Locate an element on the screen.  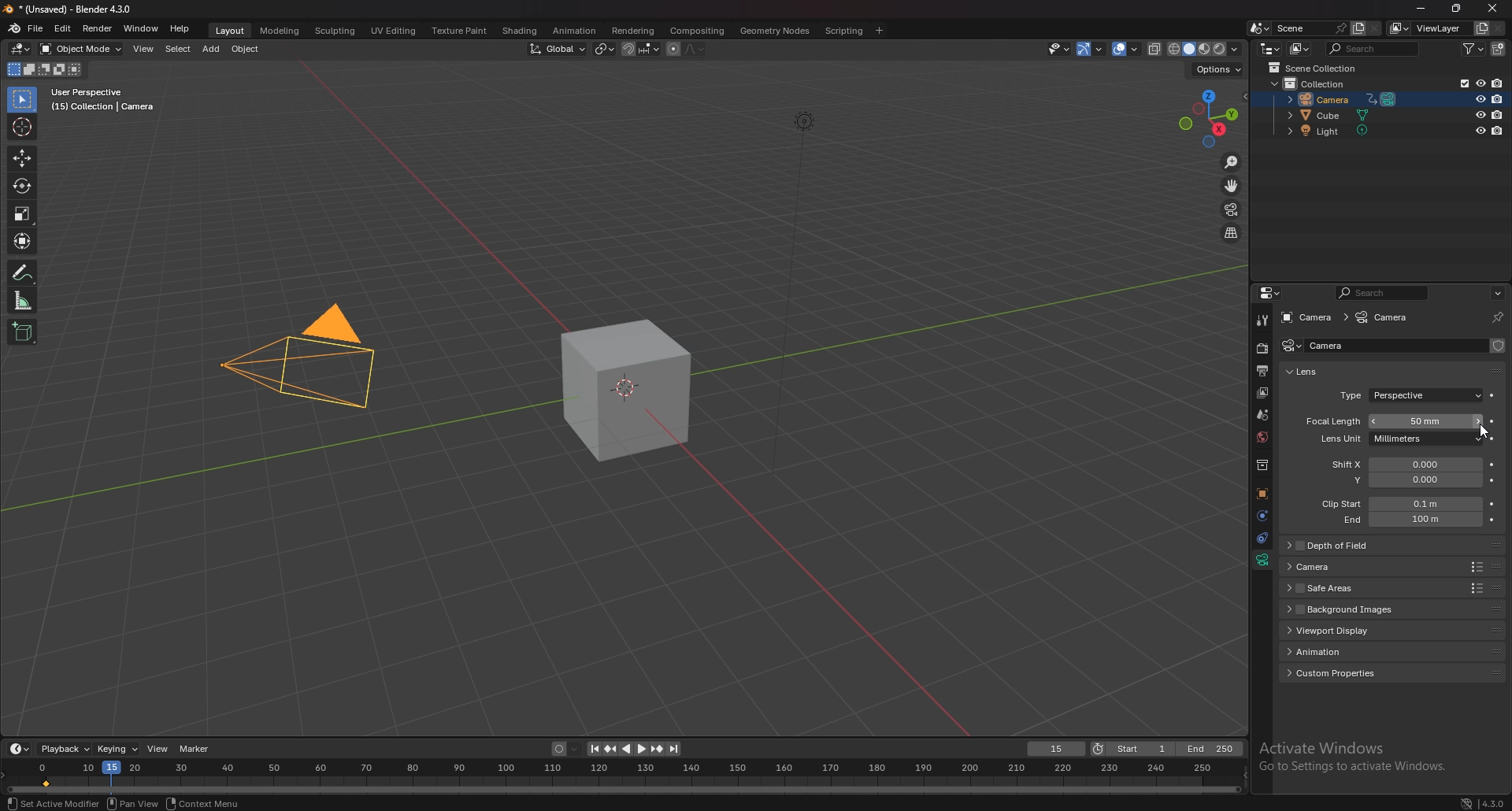
4.3.0 is located at coordinates (1484, 802).